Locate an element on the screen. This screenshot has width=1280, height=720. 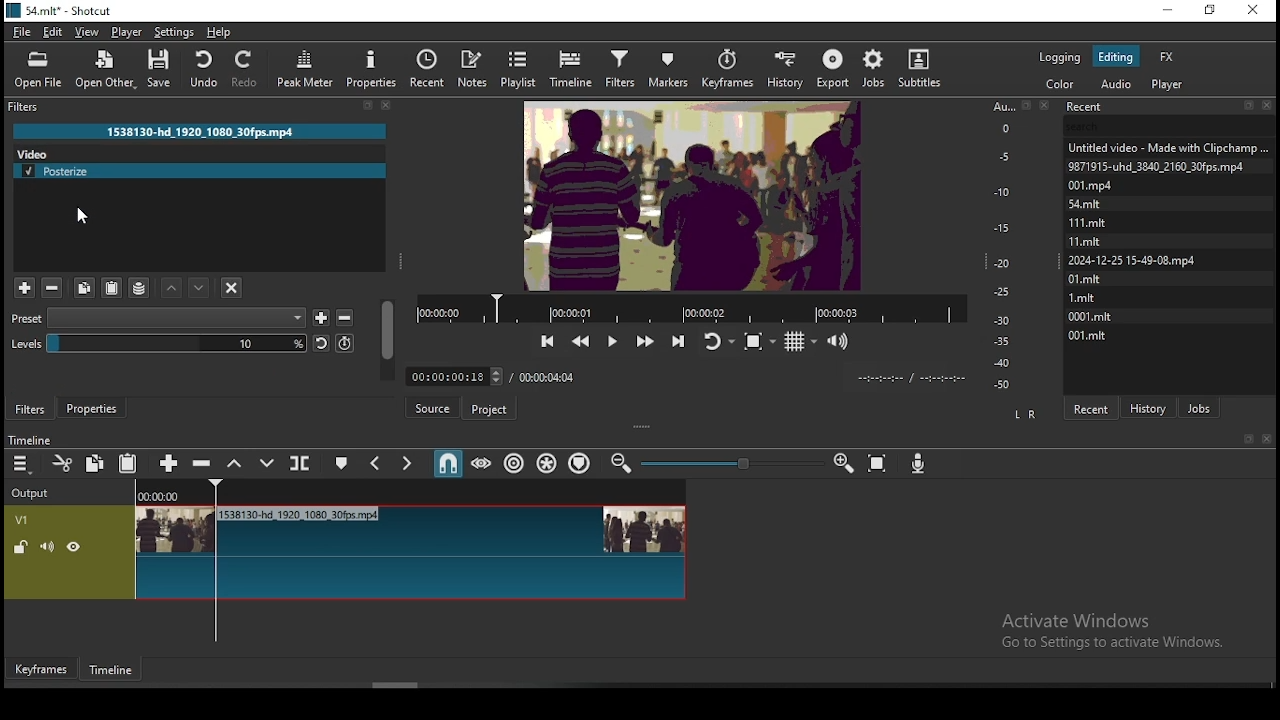
video progress bar is located at coordinates (685, 307).